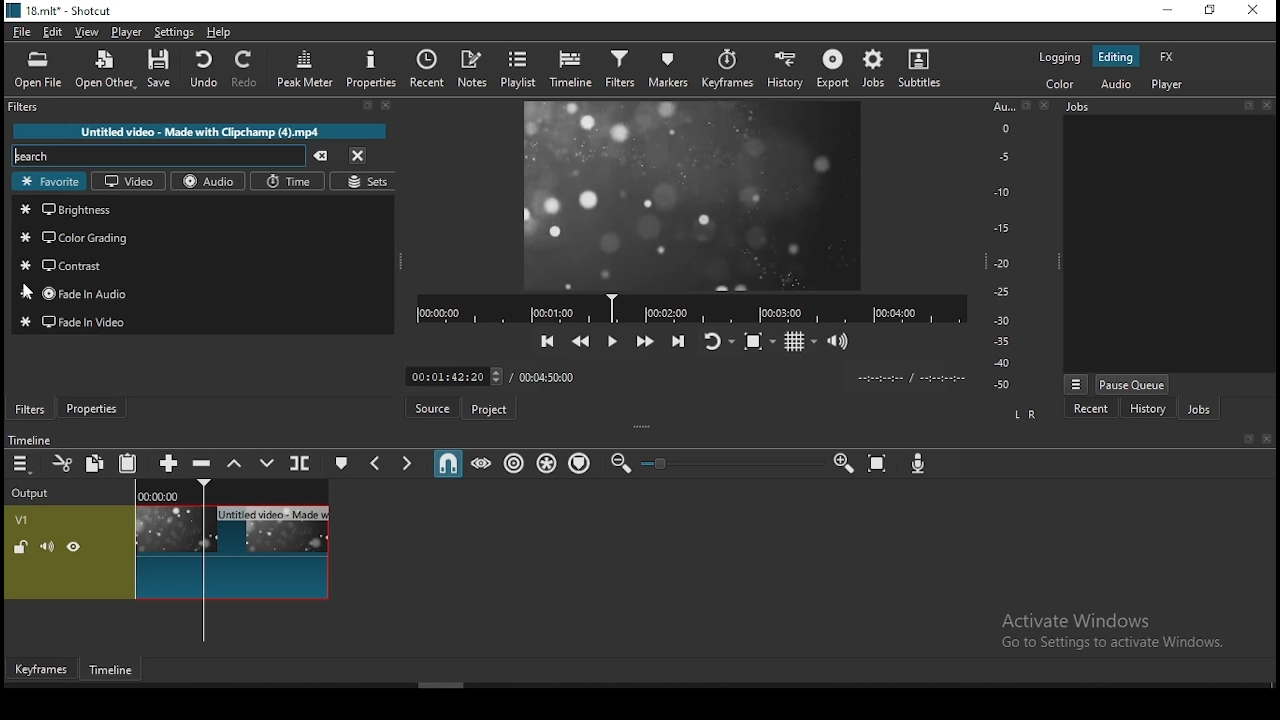 The width and height of the screenshot is (1280, 720). I want to click on Menu, so click(1076, 384).